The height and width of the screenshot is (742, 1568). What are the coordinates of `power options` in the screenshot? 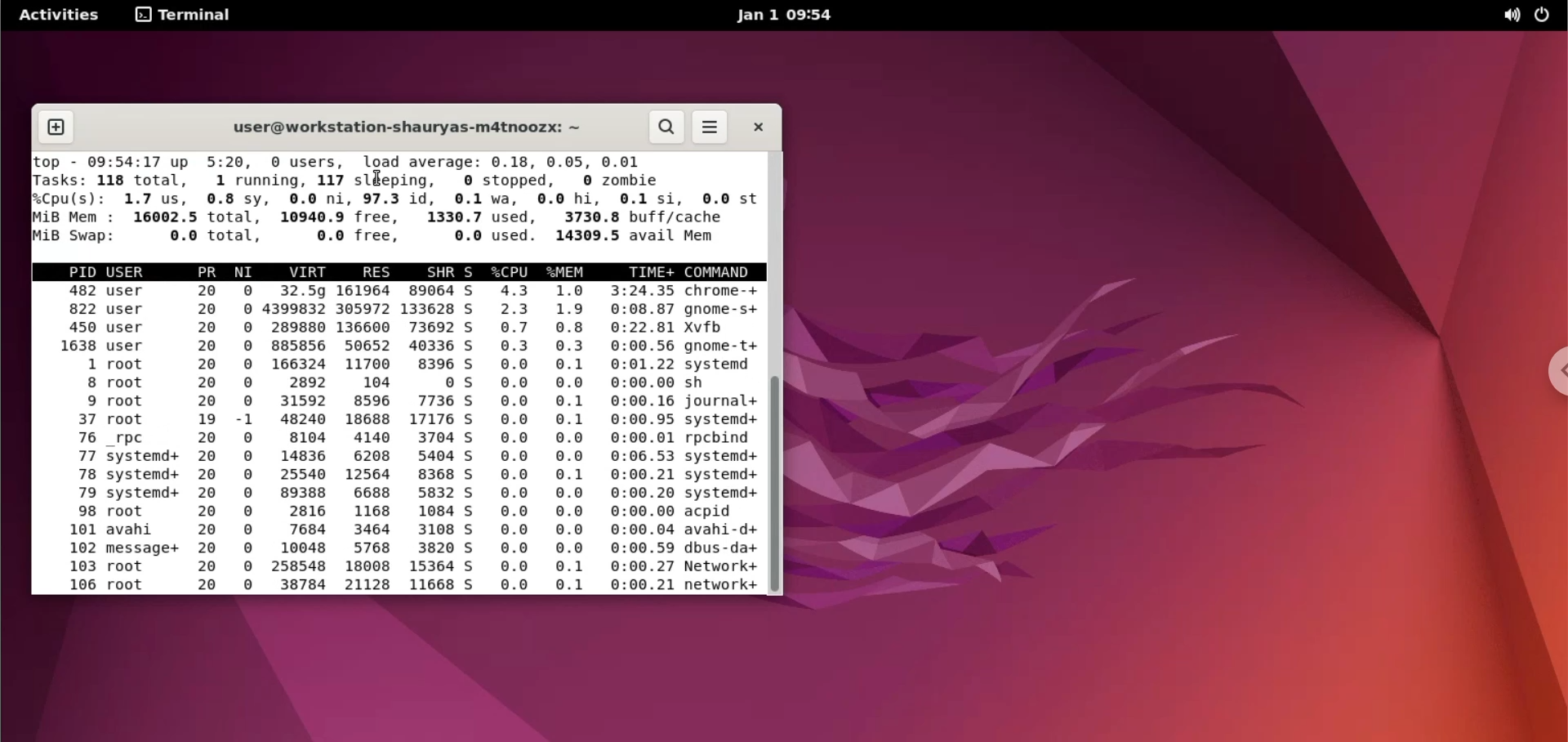 It's located at (1548, 16).